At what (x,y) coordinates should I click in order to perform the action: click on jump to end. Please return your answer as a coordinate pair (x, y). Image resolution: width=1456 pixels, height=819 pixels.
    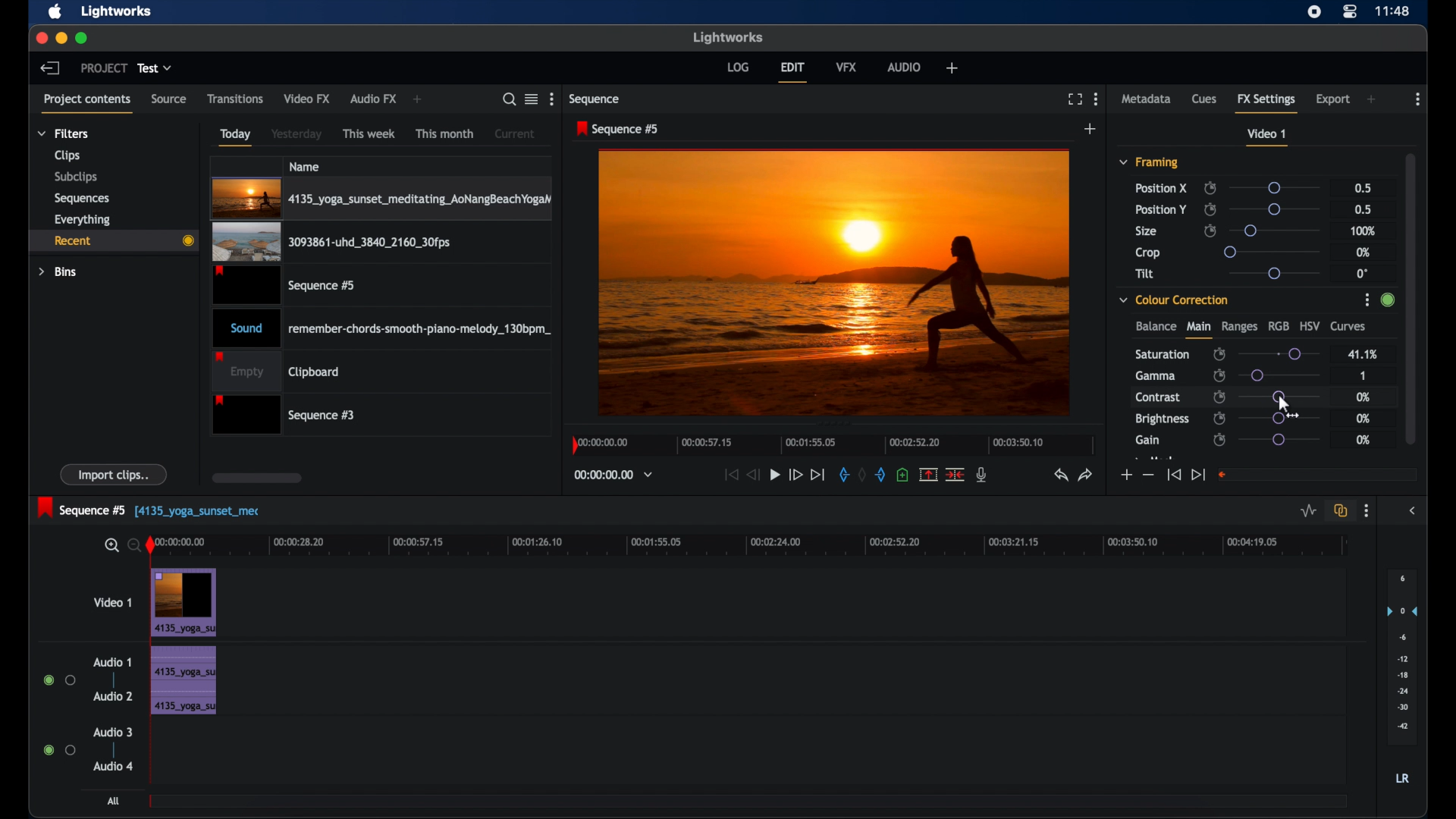
    Looking at the image, I should click on (1198, 474).